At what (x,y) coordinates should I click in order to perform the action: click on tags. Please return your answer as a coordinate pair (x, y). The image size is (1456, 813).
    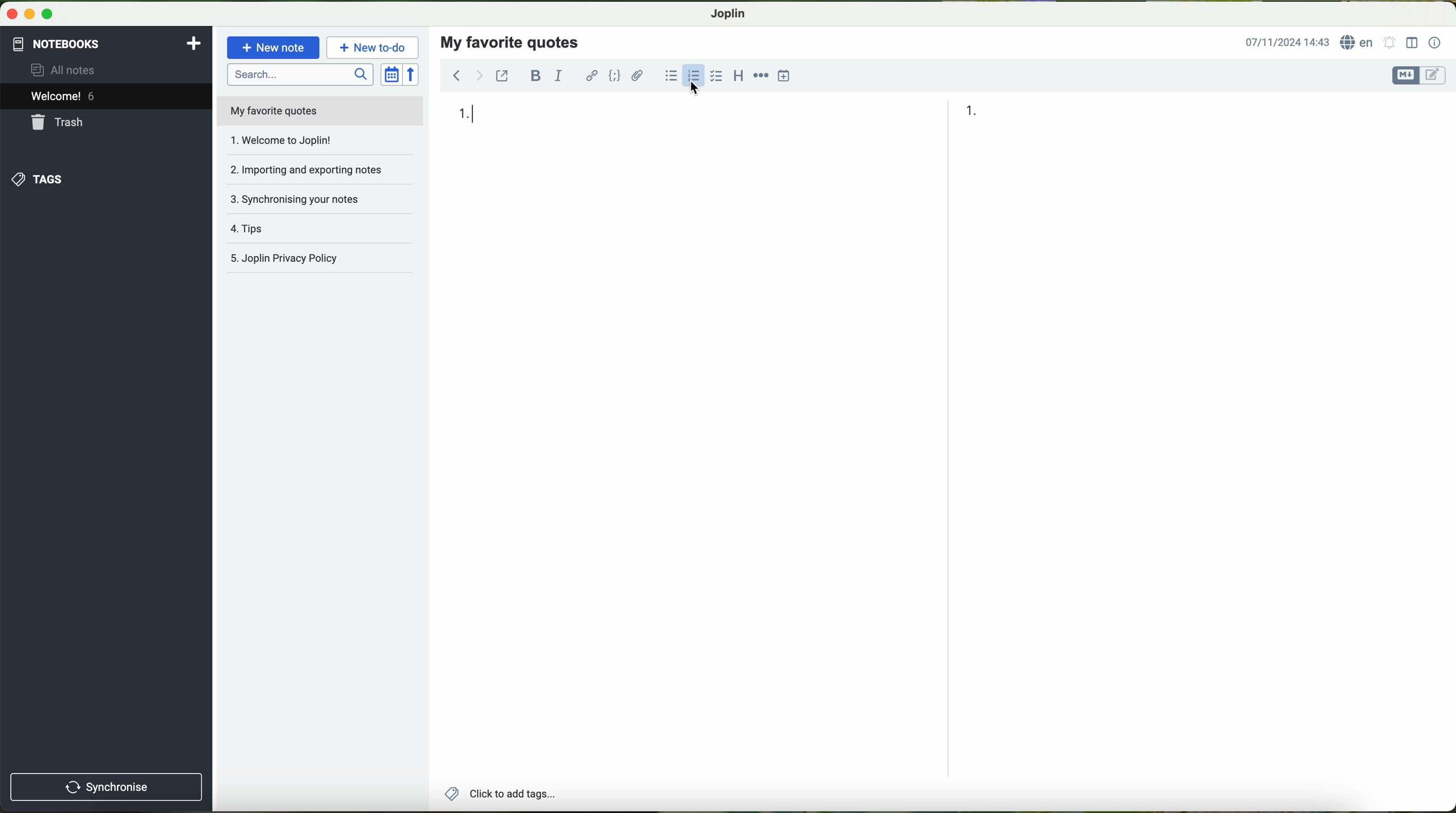
    Looking at the image, I should click on (318, 228).